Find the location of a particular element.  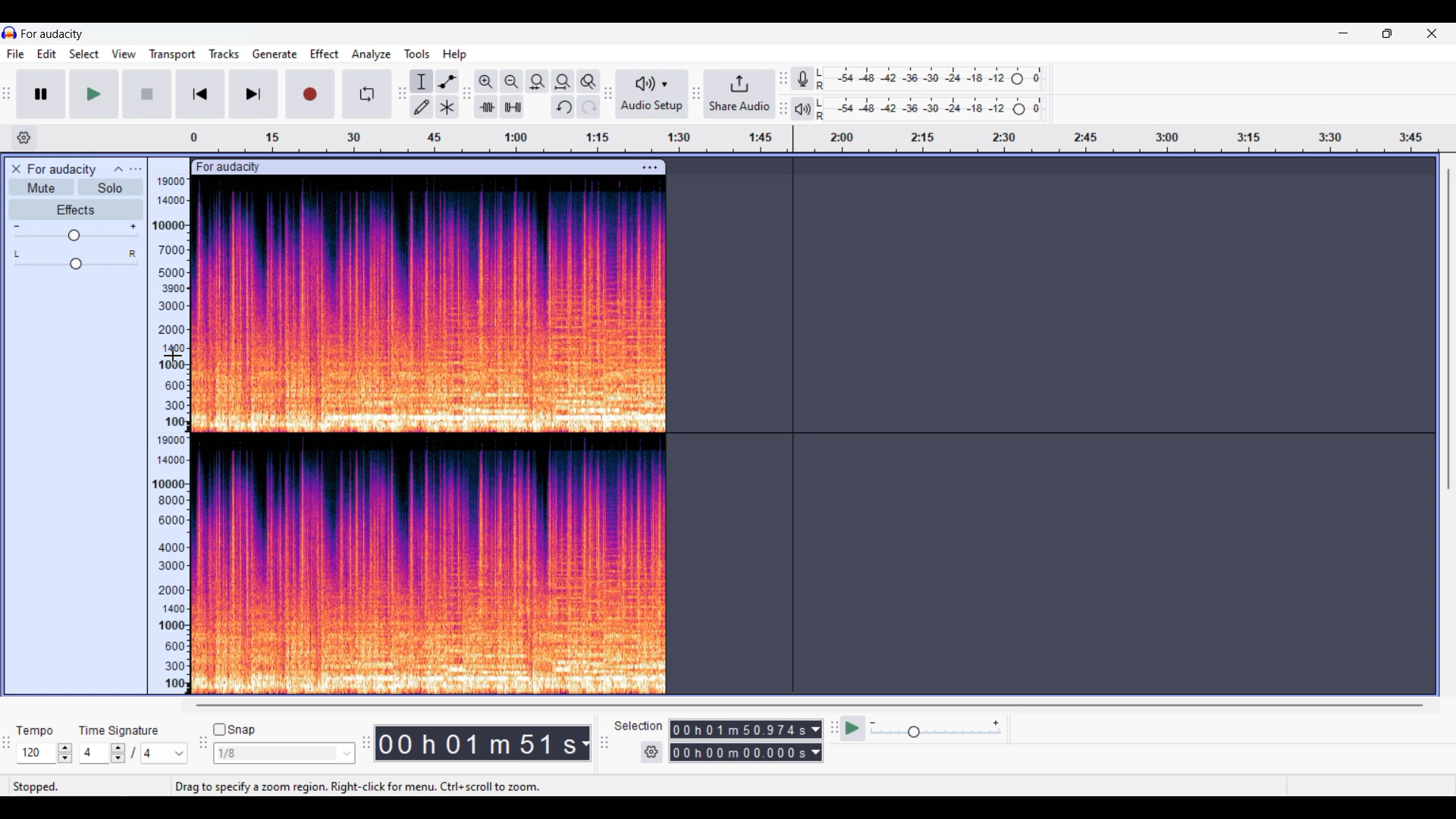

Indicates selection duration settings is located at coordinates (639, 726).